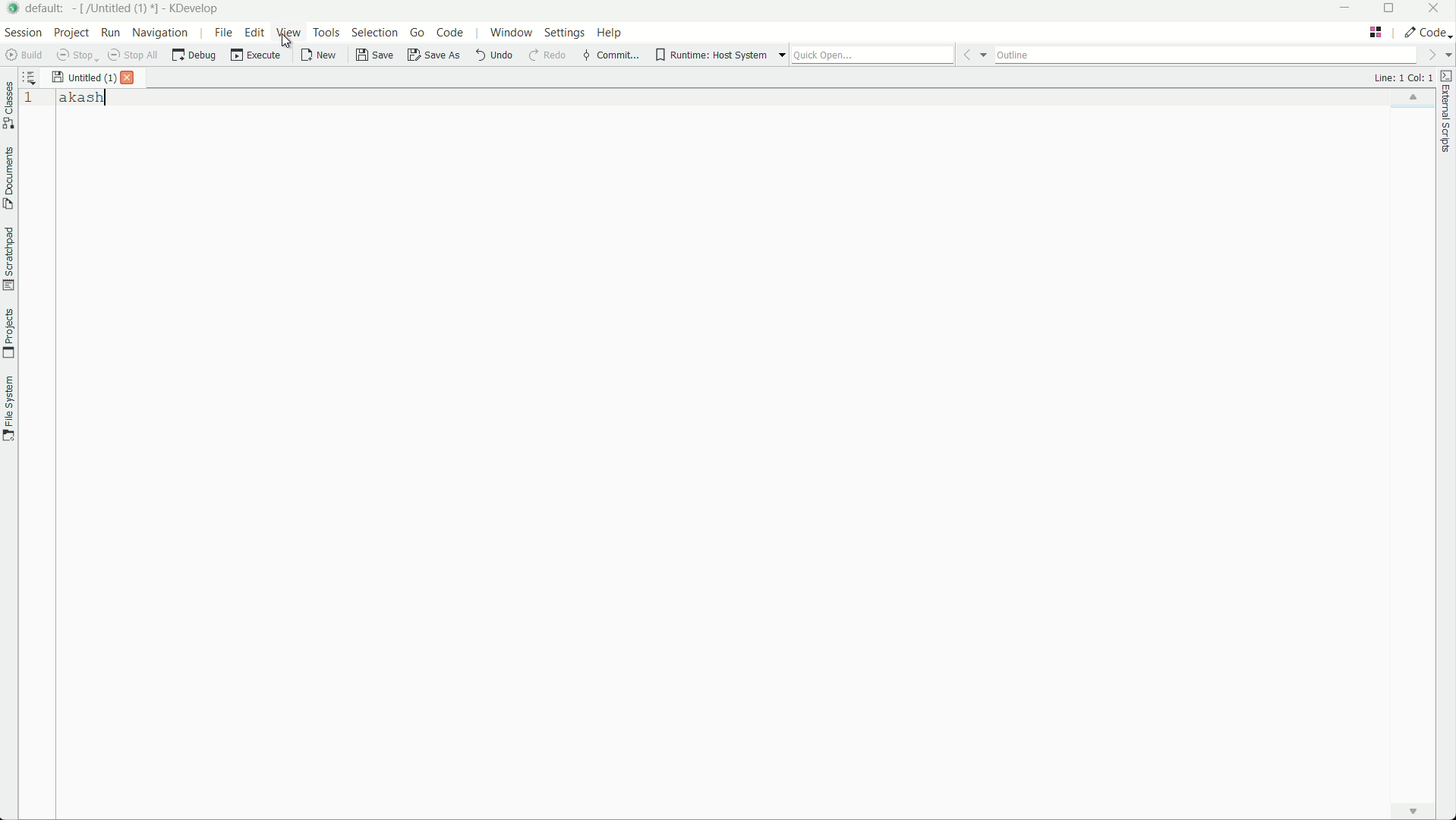 The height and width of the screenshot is (820, 1456). I want to click on selection, so click(375, 32).